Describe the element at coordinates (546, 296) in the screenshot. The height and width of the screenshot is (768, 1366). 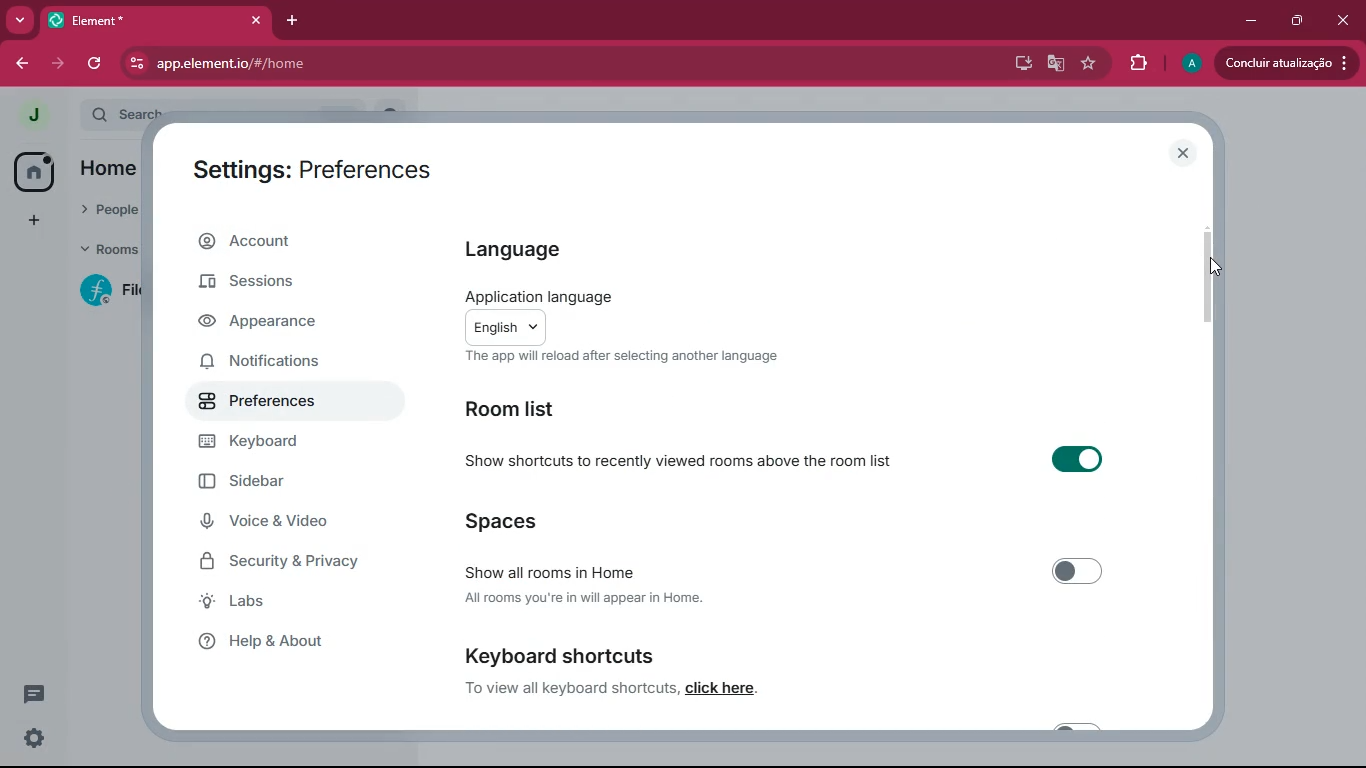
I see `application language` at that location.